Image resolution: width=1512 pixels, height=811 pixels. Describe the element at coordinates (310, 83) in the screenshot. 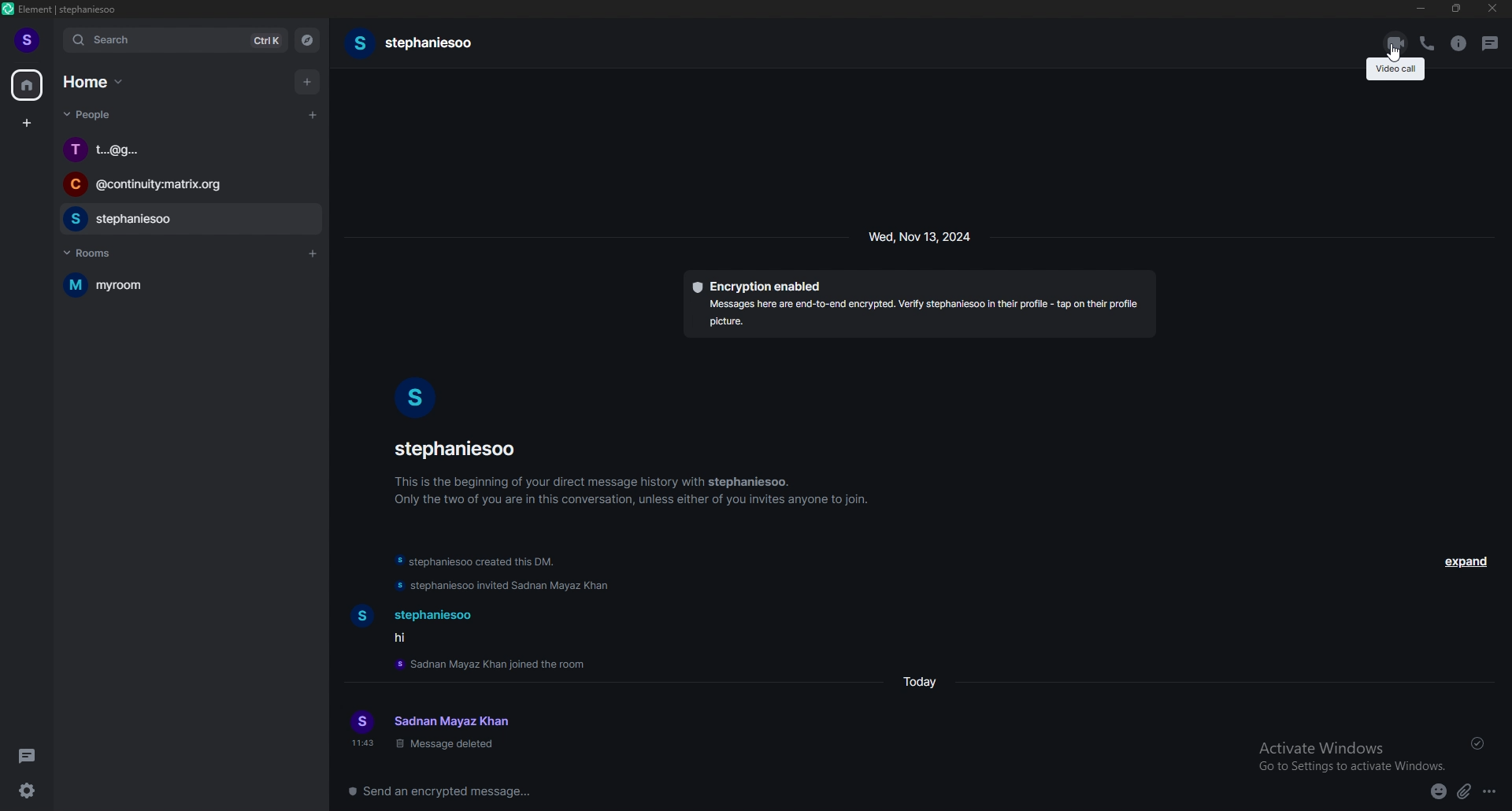

I see `add` at that location.